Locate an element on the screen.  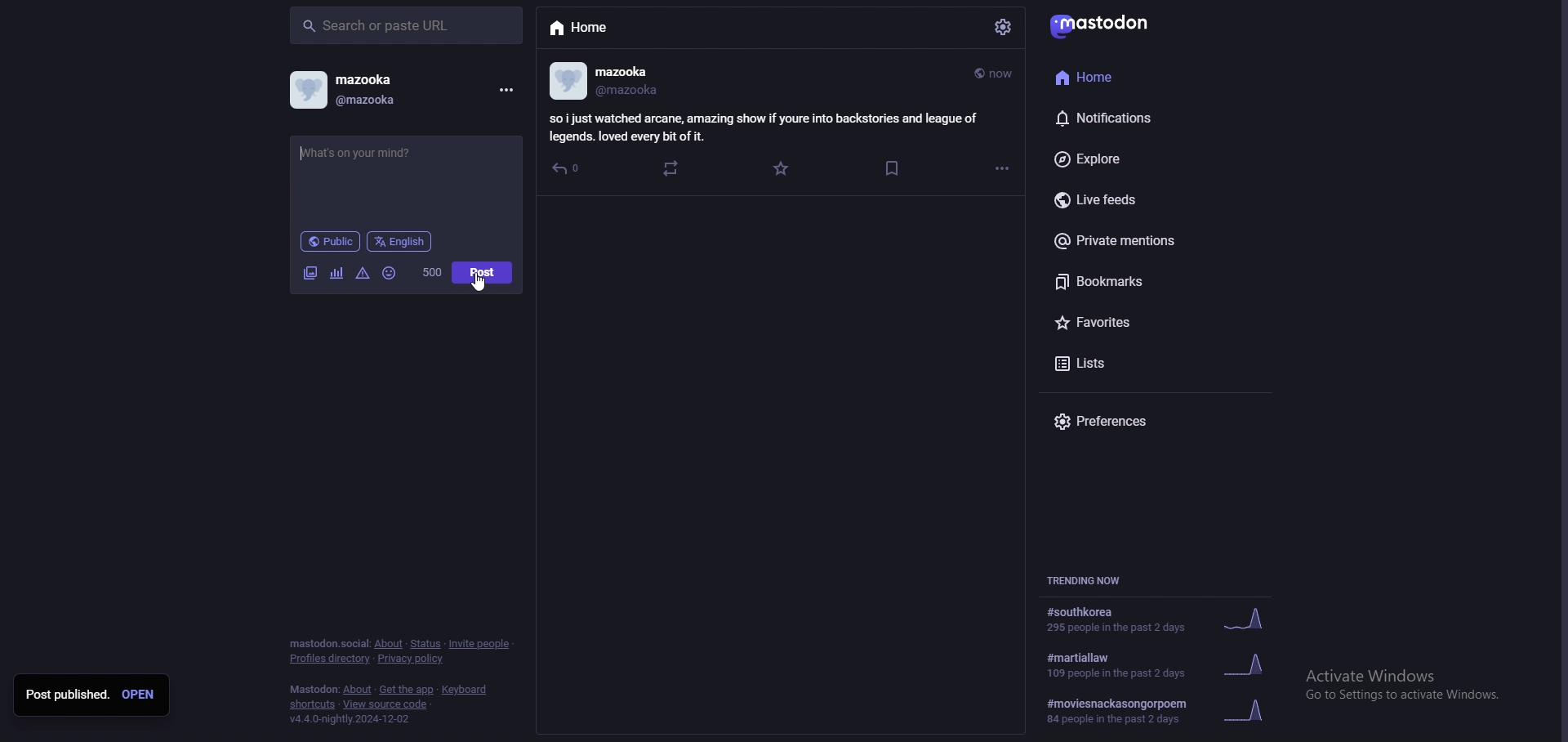
images is located at coordinates (311, 274).